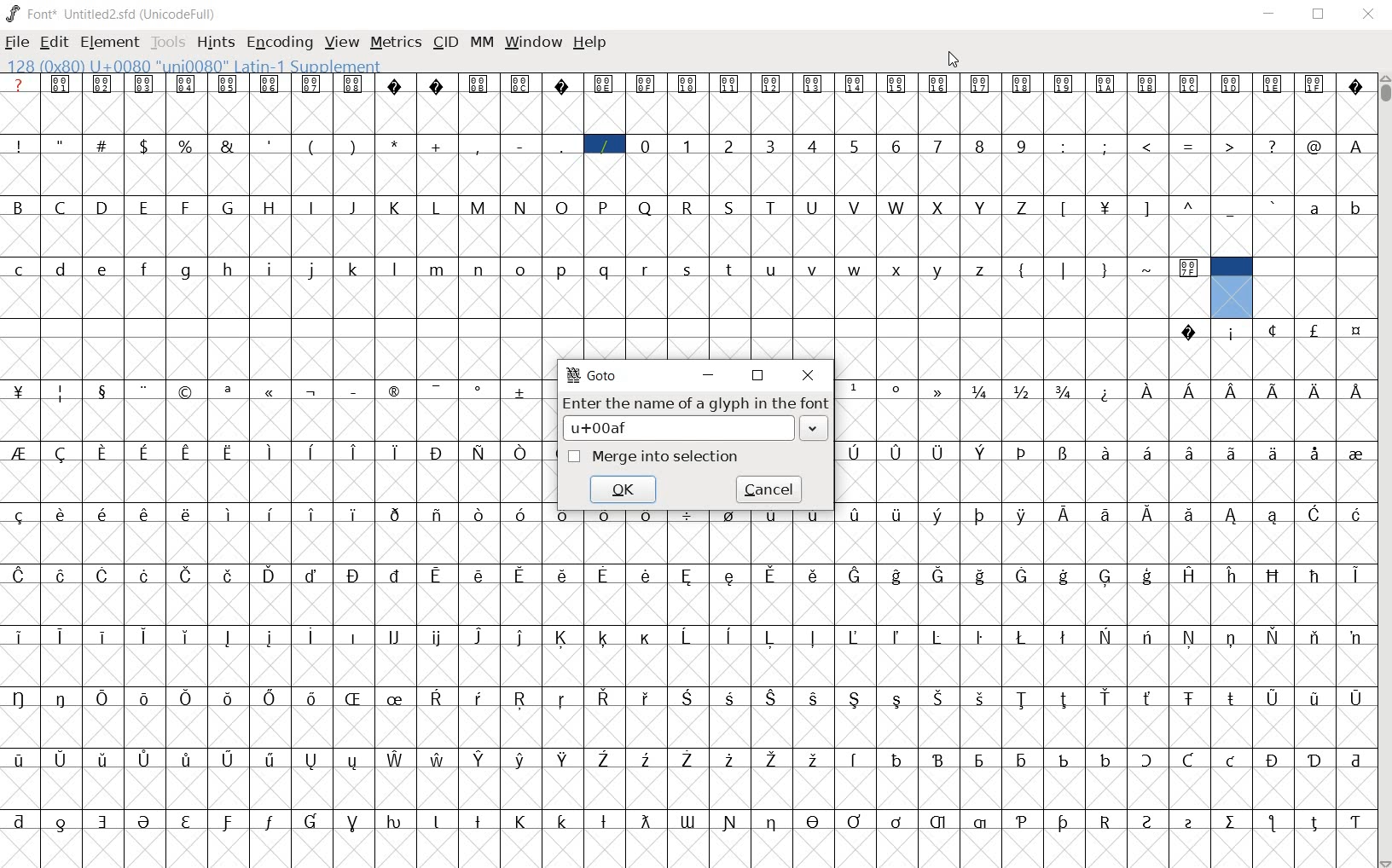  I want to click on Symbol, so click(1230, 698).